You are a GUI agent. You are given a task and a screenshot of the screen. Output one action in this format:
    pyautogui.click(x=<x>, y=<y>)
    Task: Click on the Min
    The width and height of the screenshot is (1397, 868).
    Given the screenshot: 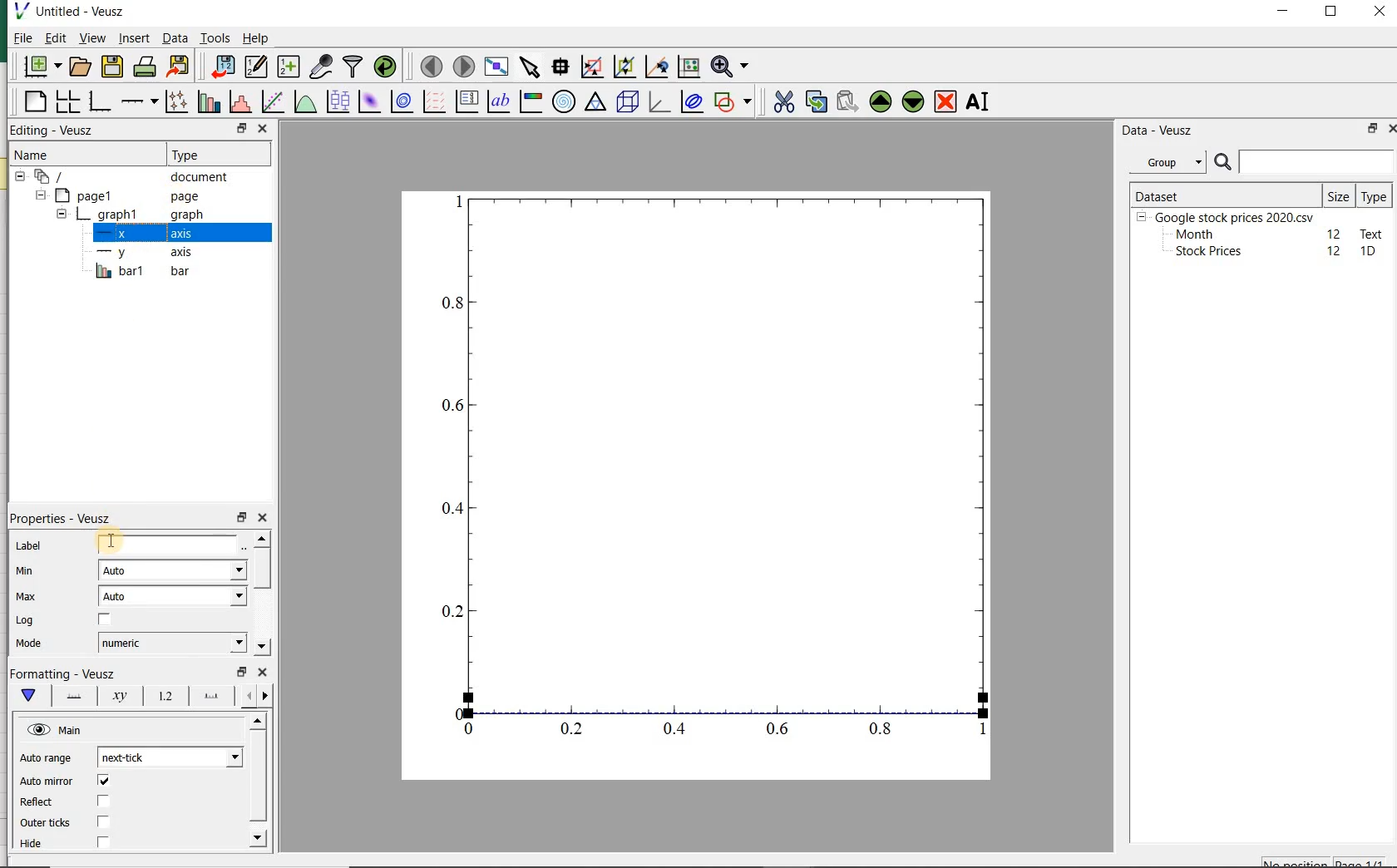 What is the action you would take?
    pyautogui.click(x=27, y=572)
    